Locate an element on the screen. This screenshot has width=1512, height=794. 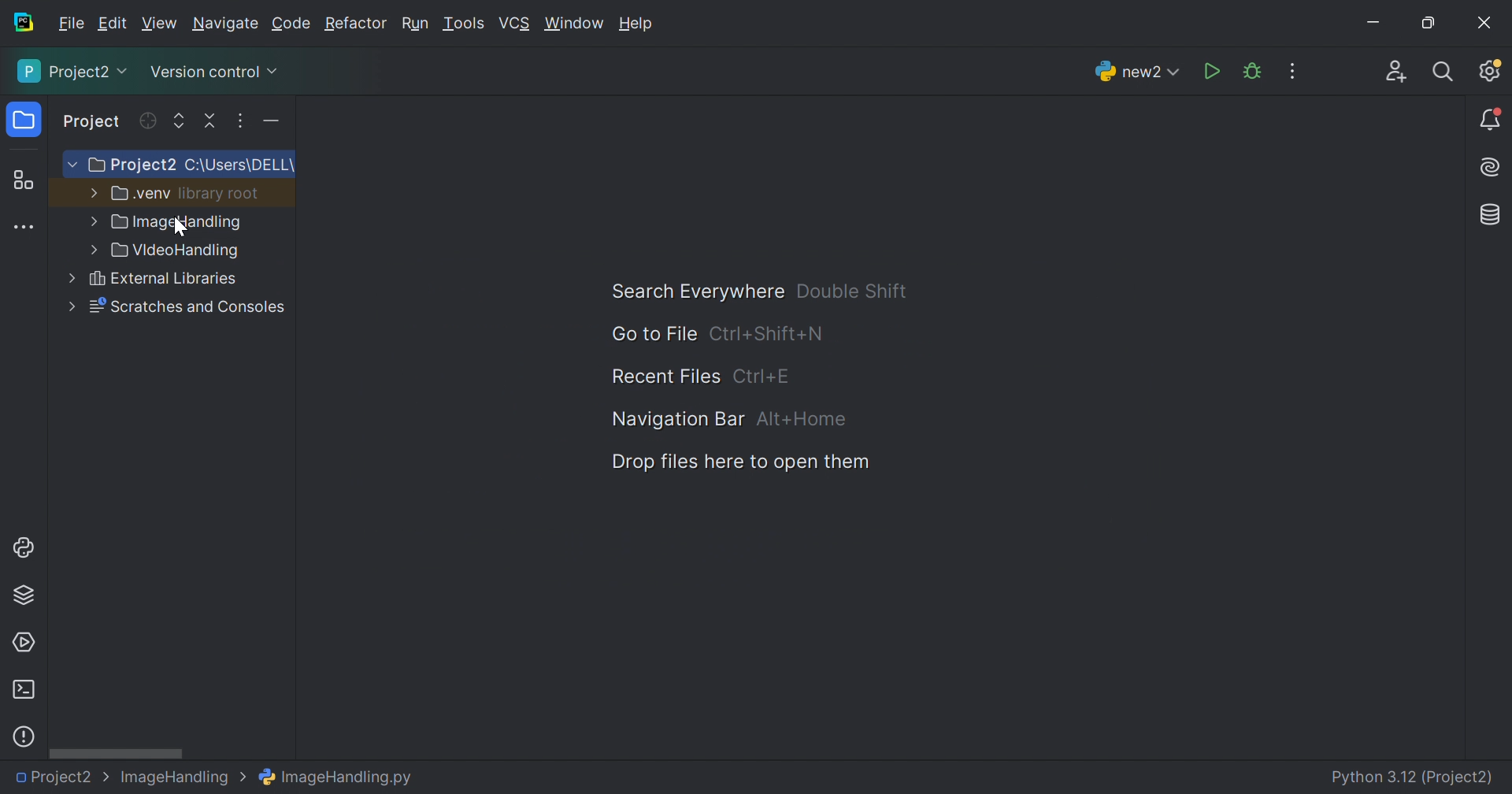
Structure is located at coordinates (23, 181).